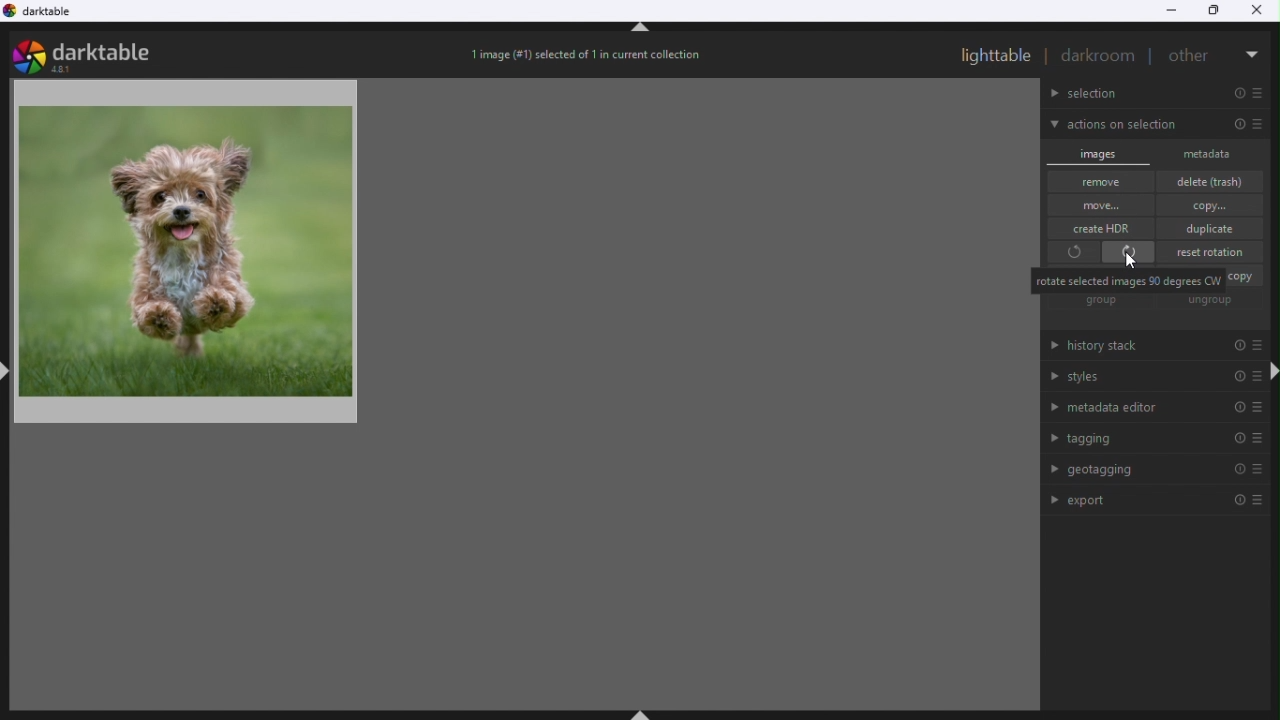 This screenshot has width=1280, height=720. Describe the element at coordinates (1144, 348) in the screenshot. I see `History stack` at that location.